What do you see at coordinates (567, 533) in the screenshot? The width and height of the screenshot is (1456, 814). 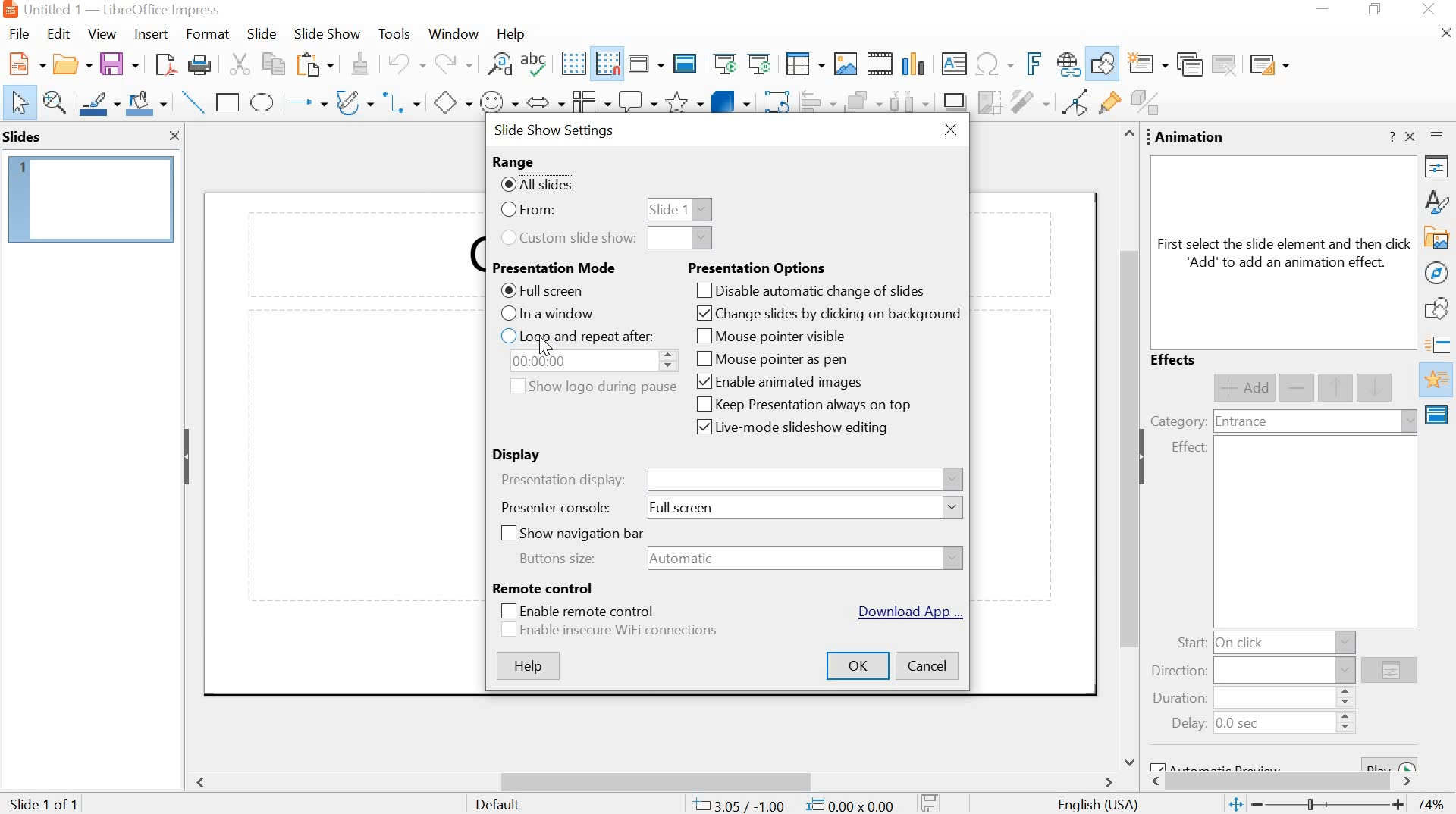 I see `show navigation bar` at bounding box center [567, 533].